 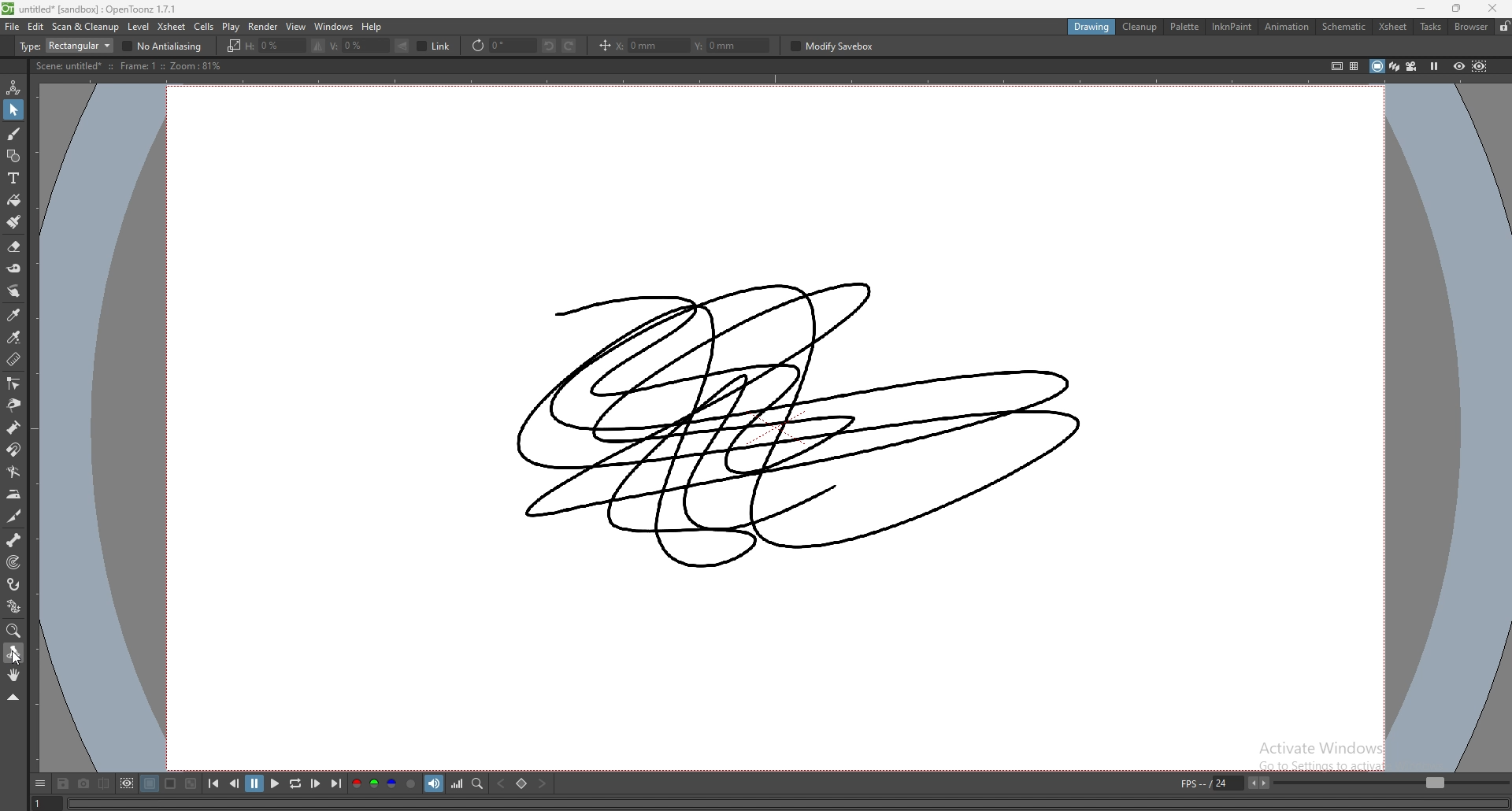 I want to click on zoom, so click(x=13, y=631).